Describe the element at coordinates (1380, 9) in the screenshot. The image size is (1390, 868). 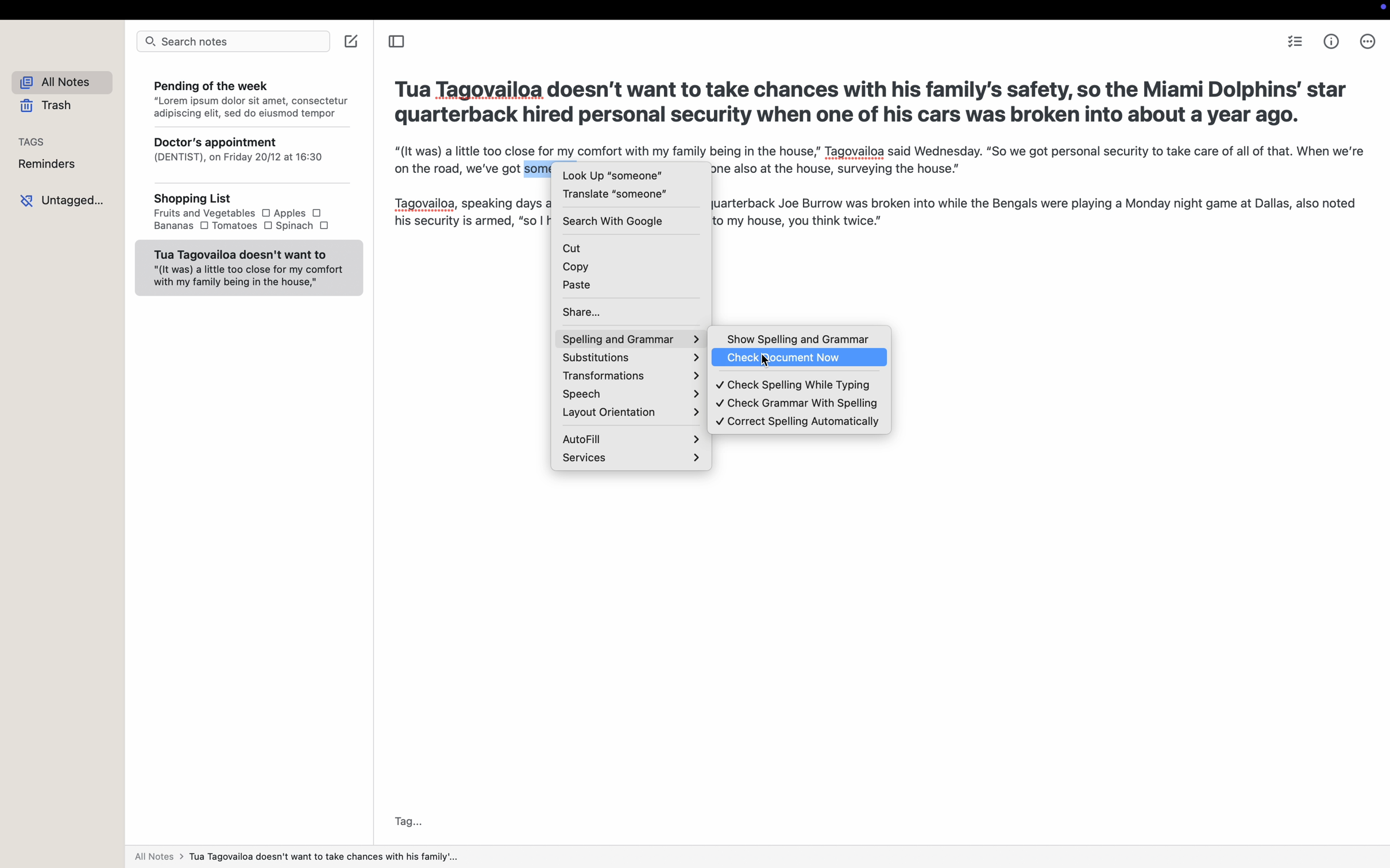
I see `screen controls` at that location.